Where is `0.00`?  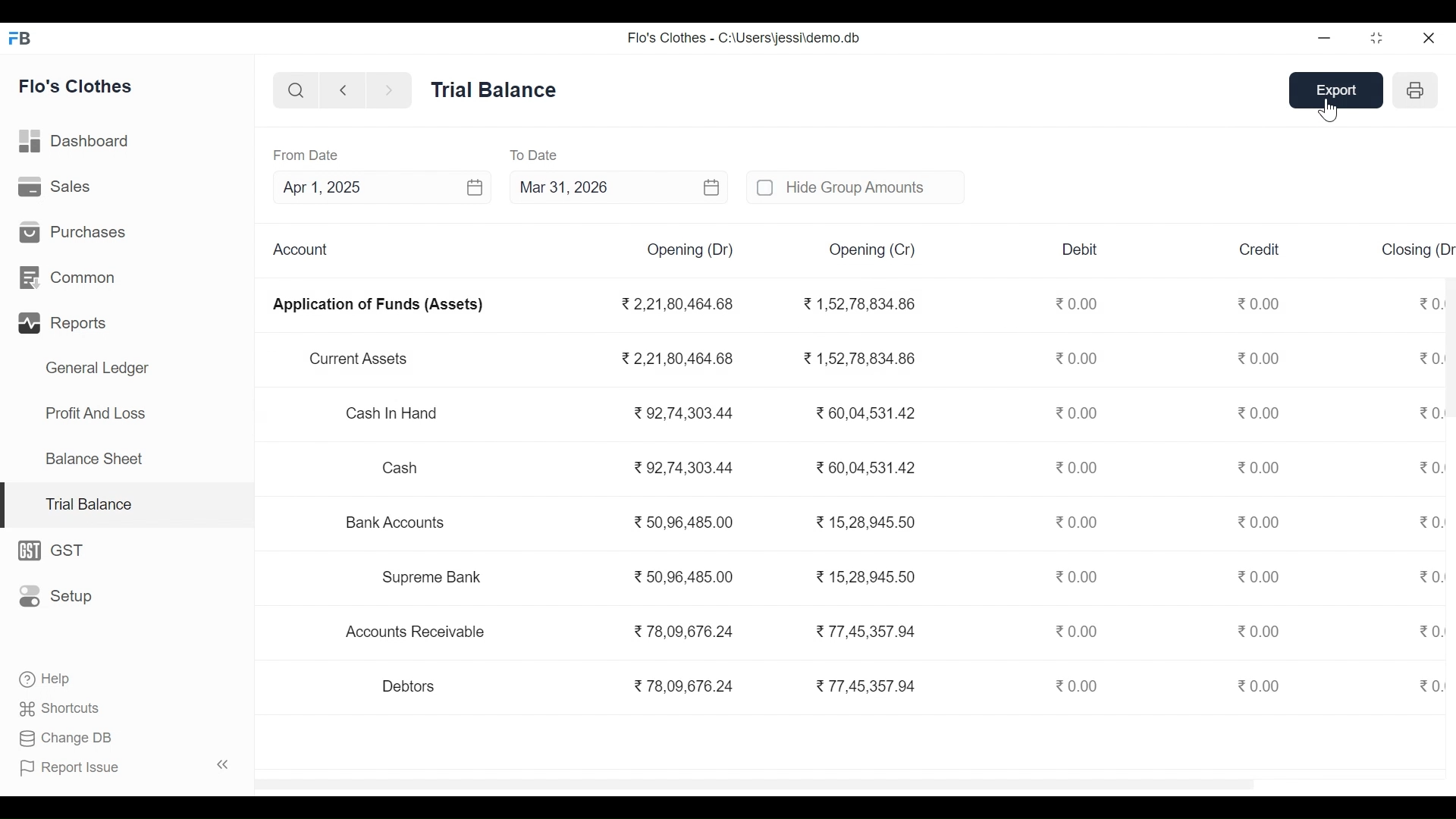
0.00 is located at coordinates (1260, 302).